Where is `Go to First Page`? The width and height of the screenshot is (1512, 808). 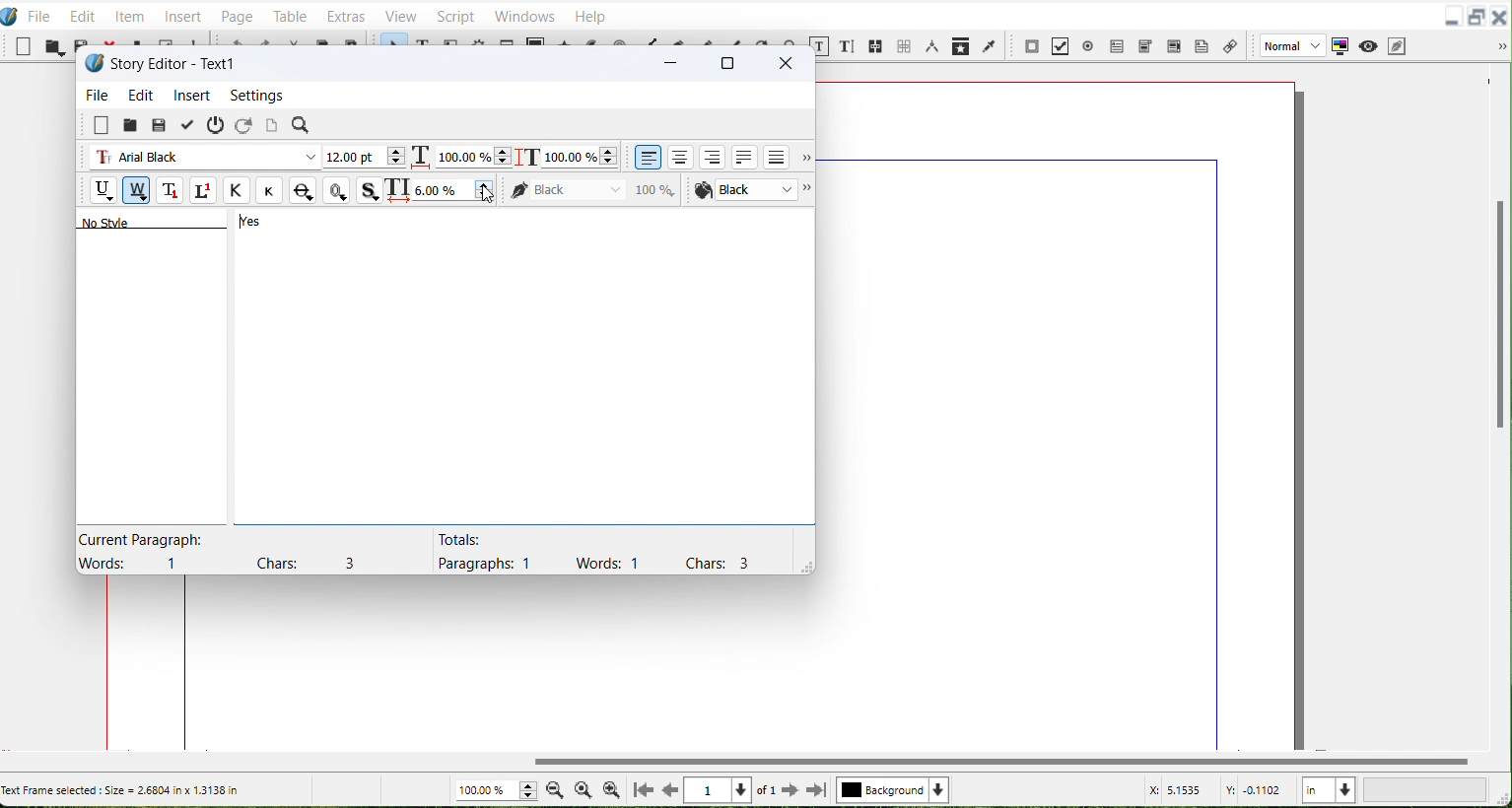 Go to First Page is located at coordinates (644, 789).